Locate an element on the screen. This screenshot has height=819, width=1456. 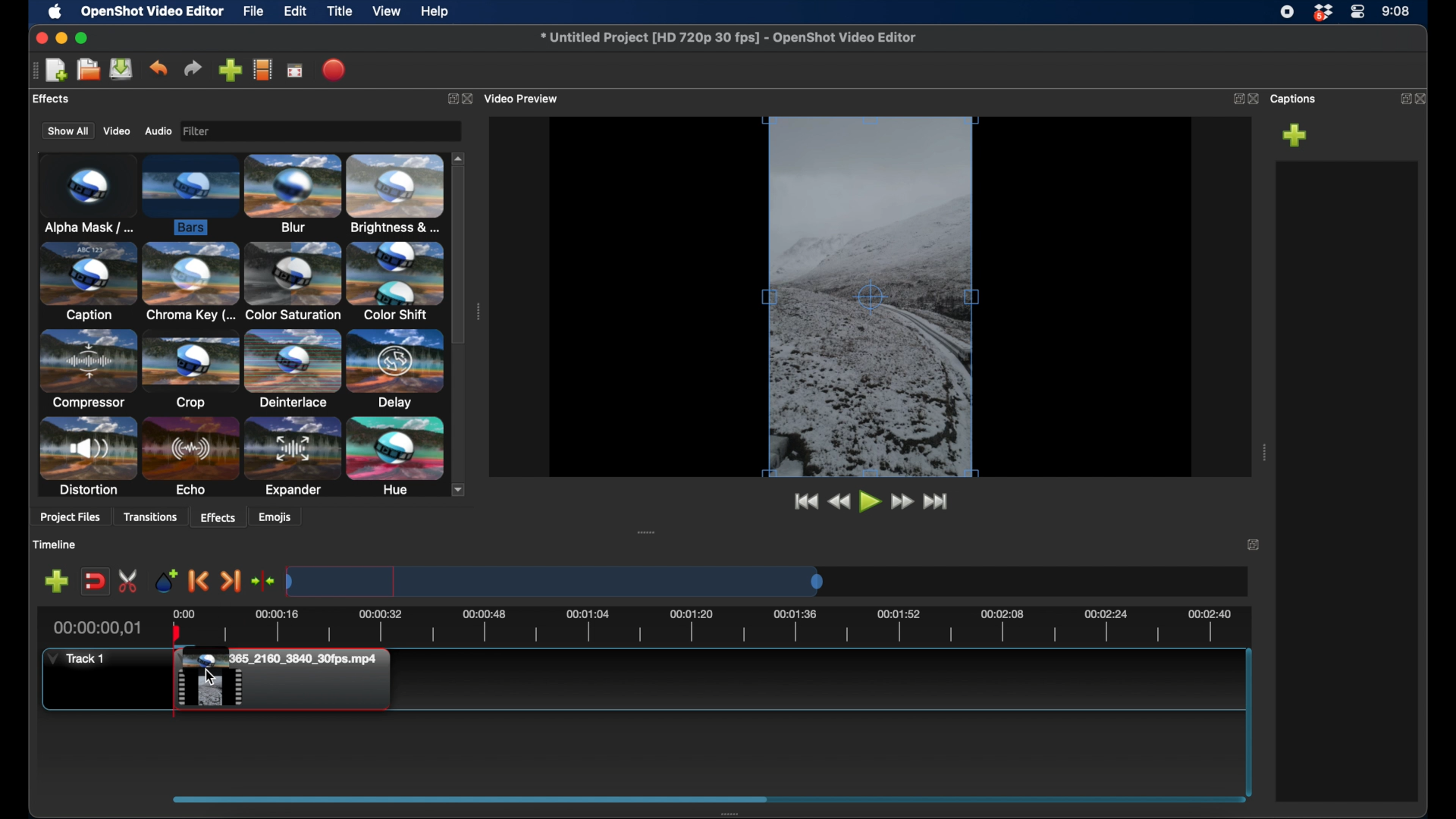
echo is located at coordinates (191, 457).